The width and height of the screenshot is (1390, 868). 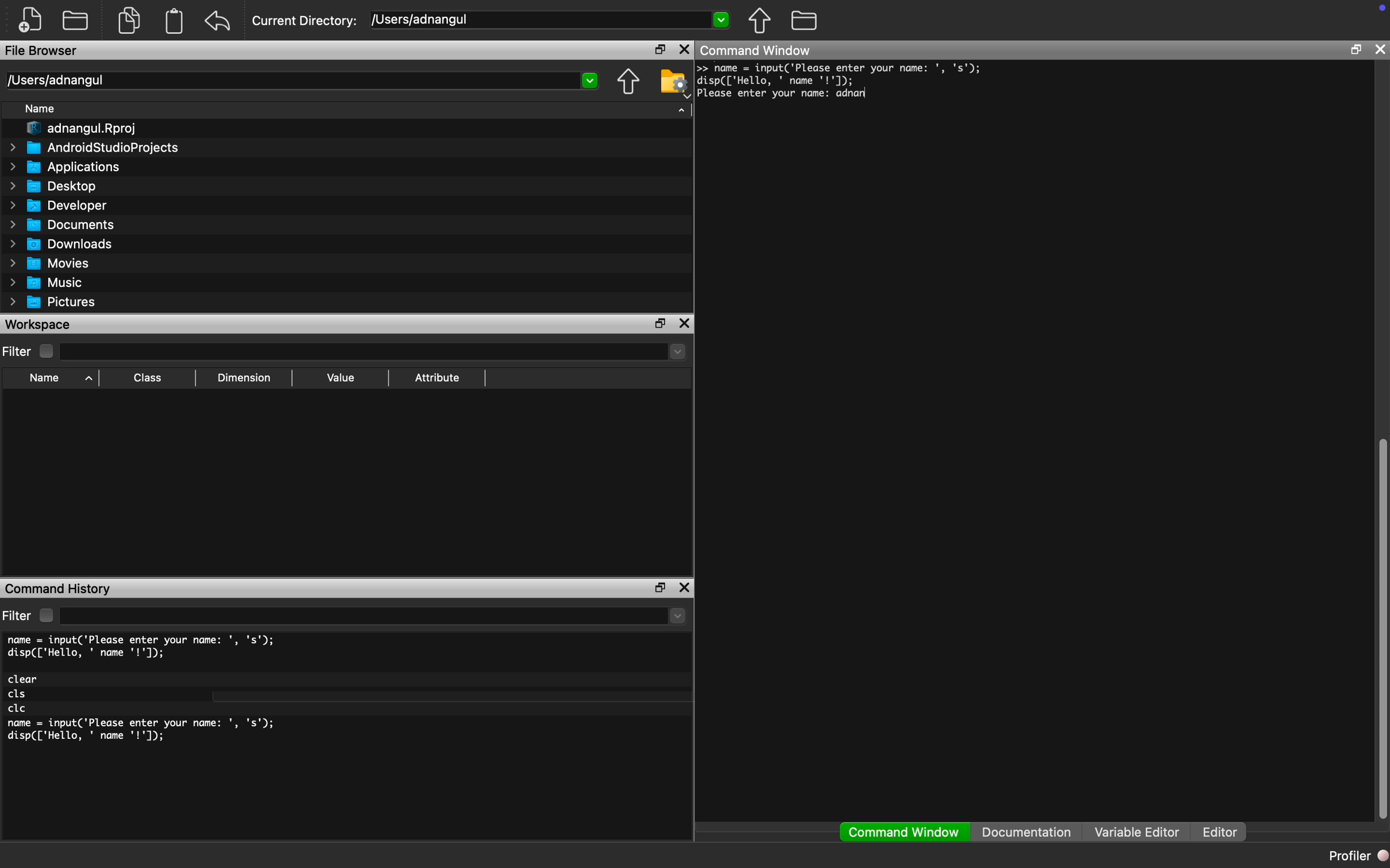 What do you see at coordinates (674, 83) in the screenshot?
I see `Folder settings` at bounding box center [674, 83].